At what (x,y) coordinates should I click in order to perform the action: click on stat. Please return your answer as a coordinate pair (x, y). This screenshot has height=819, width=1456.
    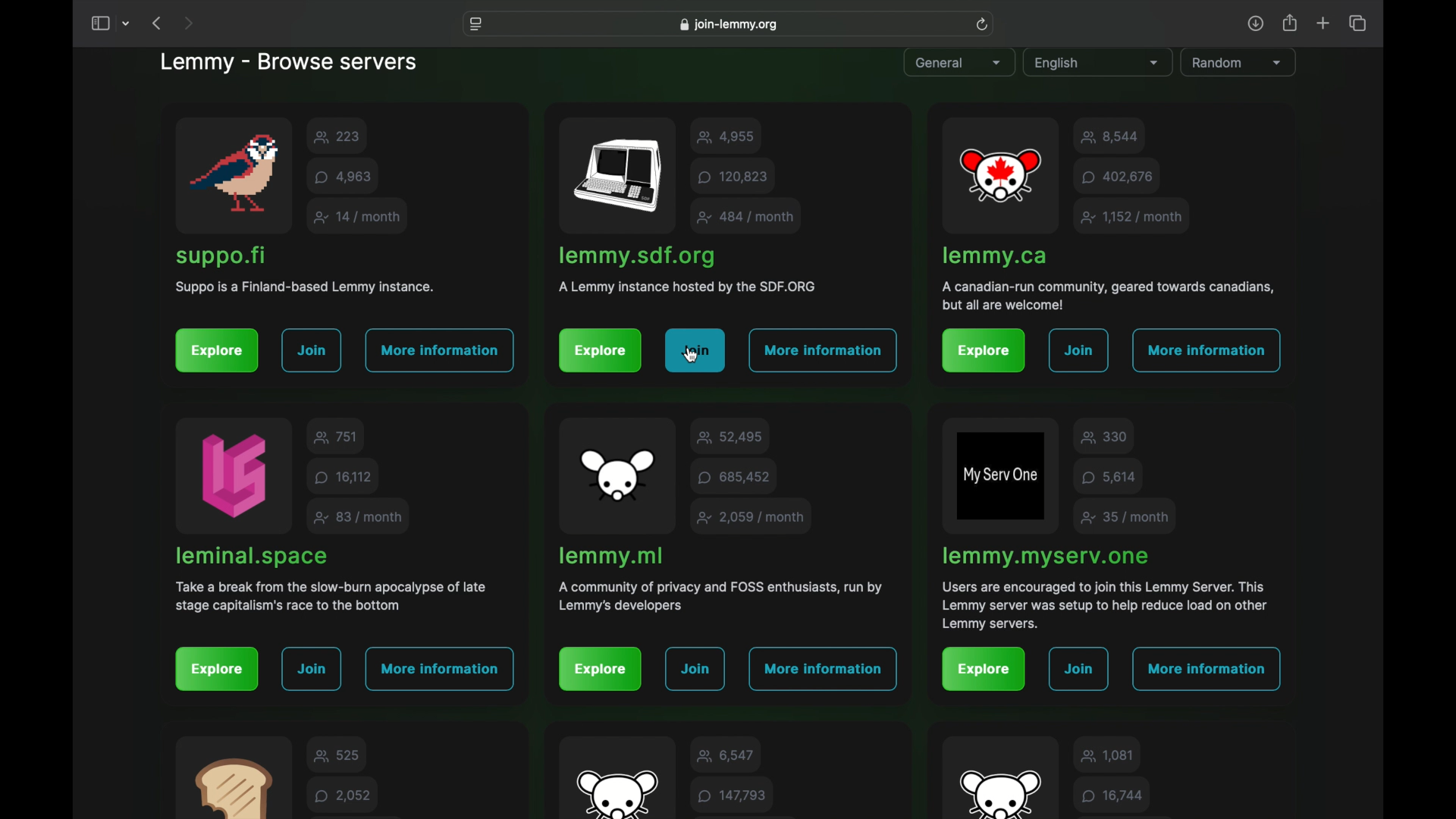
    Looking at the image, I should click on (746, 217).